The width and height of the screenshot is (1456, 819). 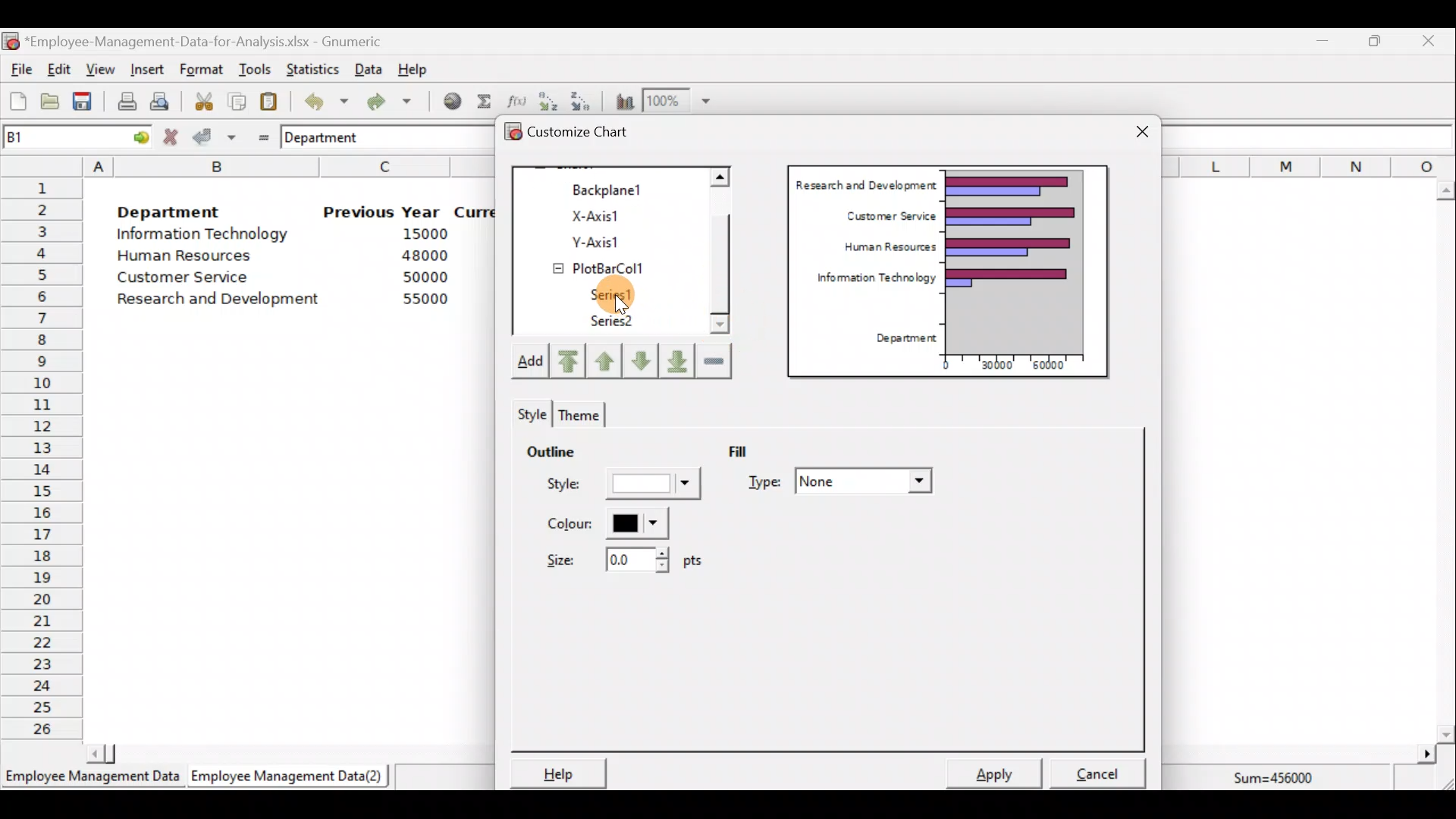 What do you see at coordinates (548, 101) in the screenshot?
I see `Sort in Ascending order` at bounding box center [548, 101].